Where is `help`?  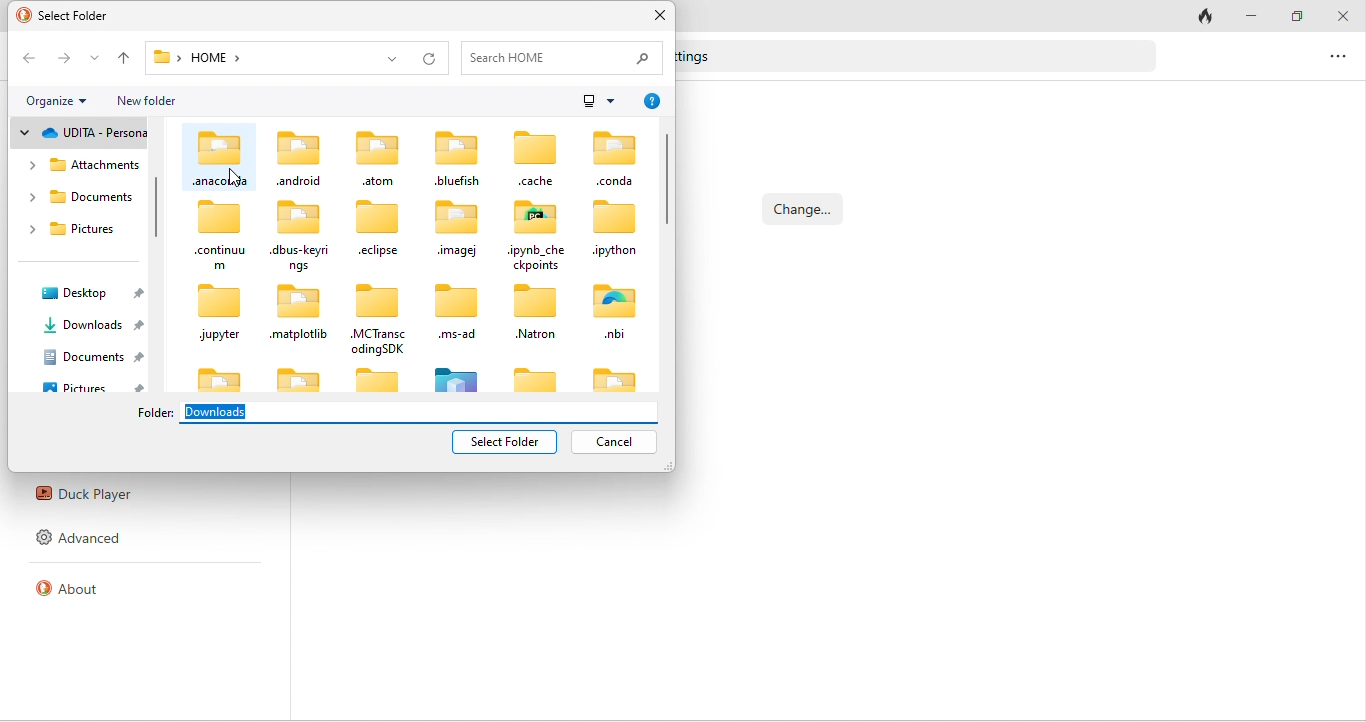
help is located at coordinates (651, 102).